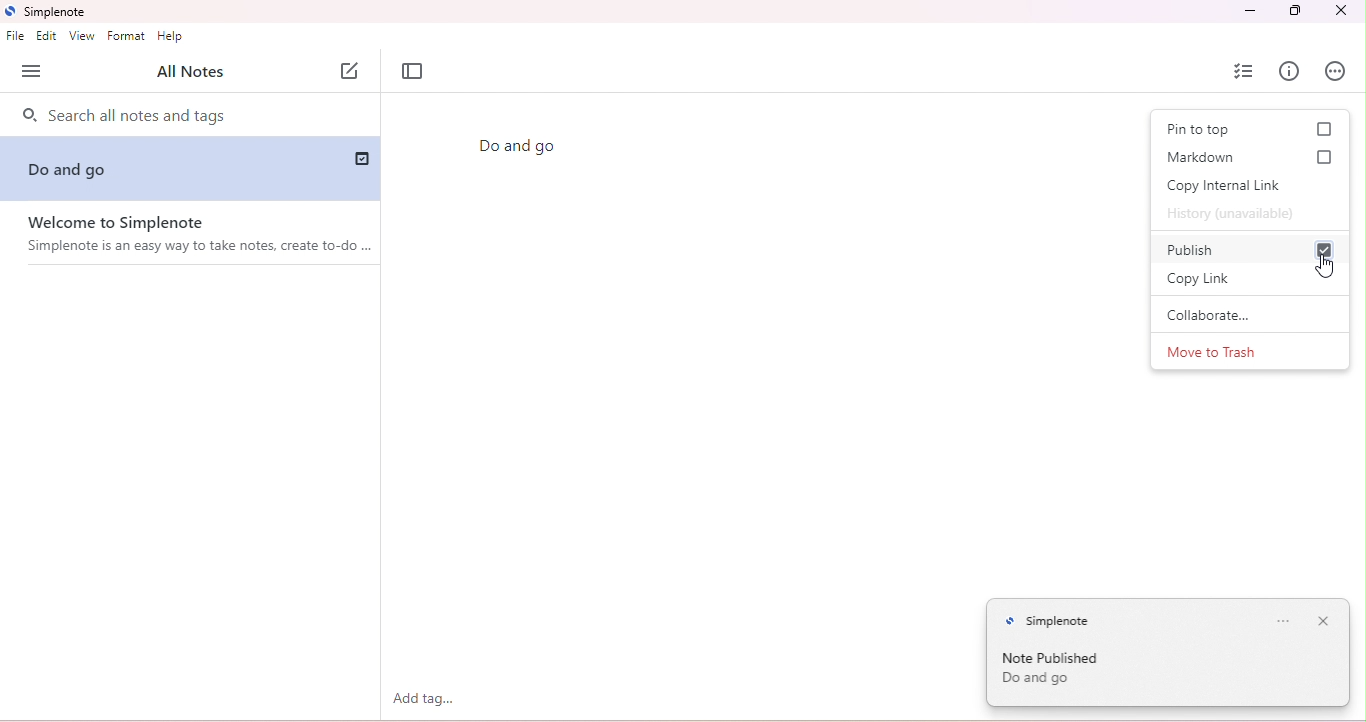  I want to click on checkbox, so click(1324, 128).